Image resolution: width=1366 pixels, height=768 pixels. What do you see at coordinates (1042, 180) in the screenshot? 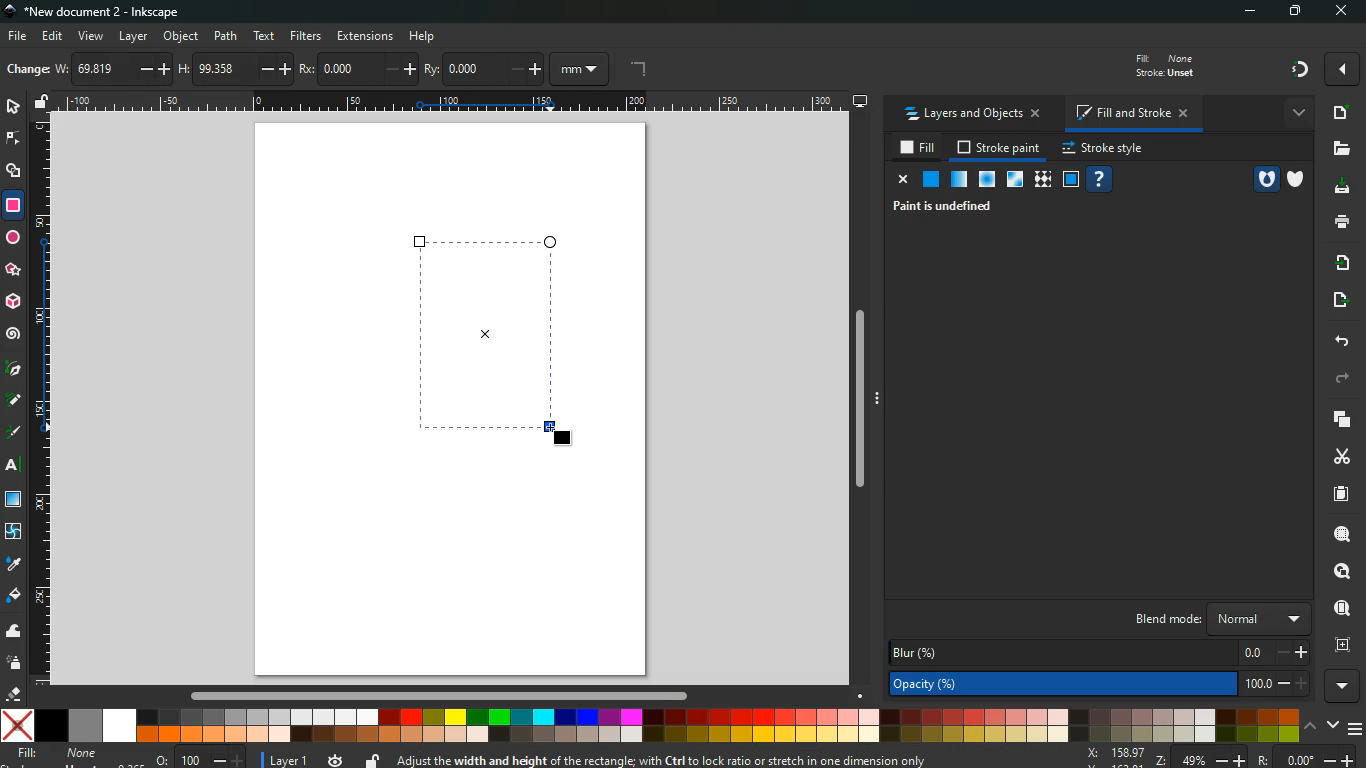
I see `texture` at bounding box center [1042, 180].